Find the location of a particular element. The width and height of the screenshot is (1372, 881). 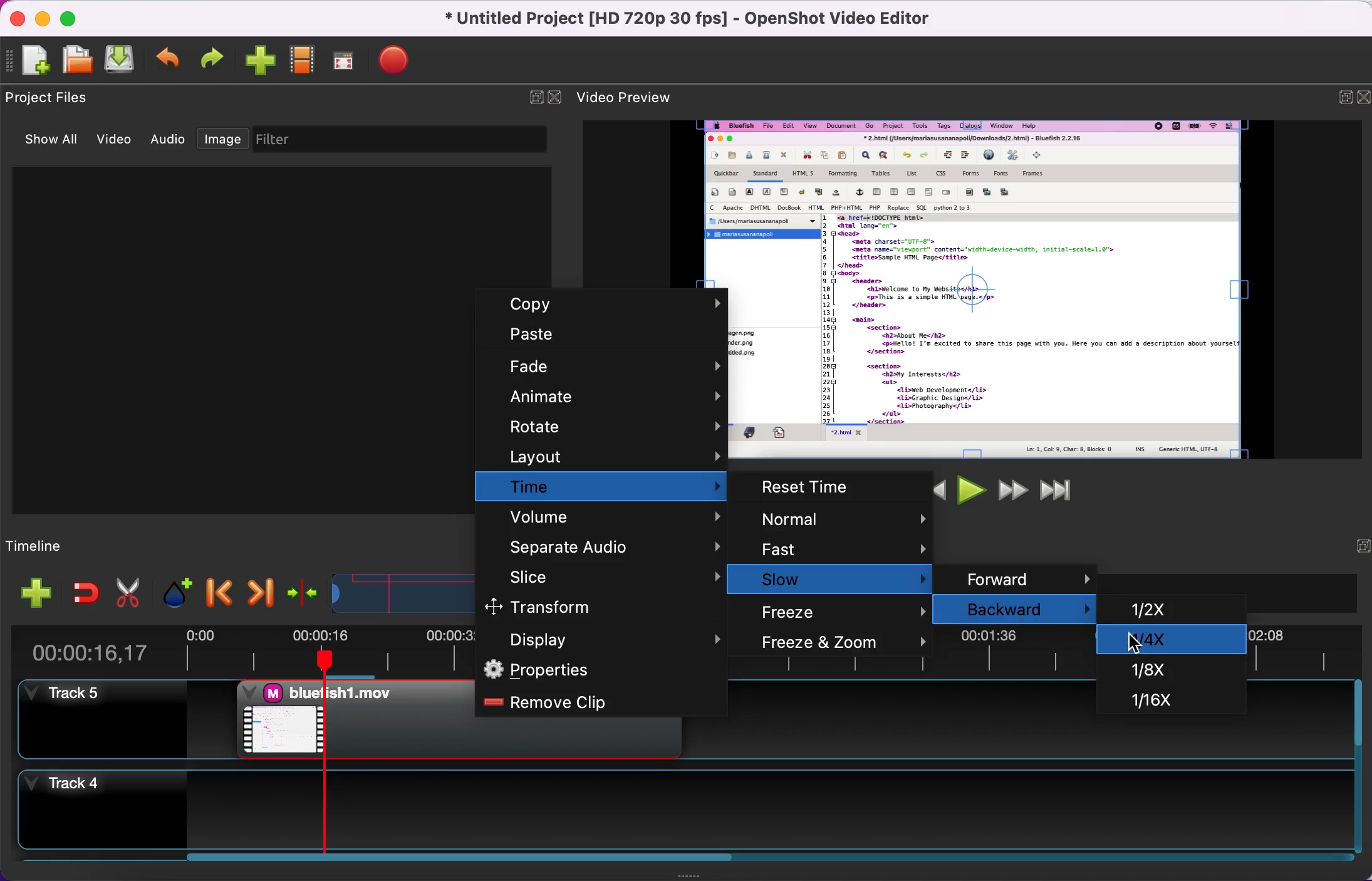

track 5 is located at coordinates (100, 720).